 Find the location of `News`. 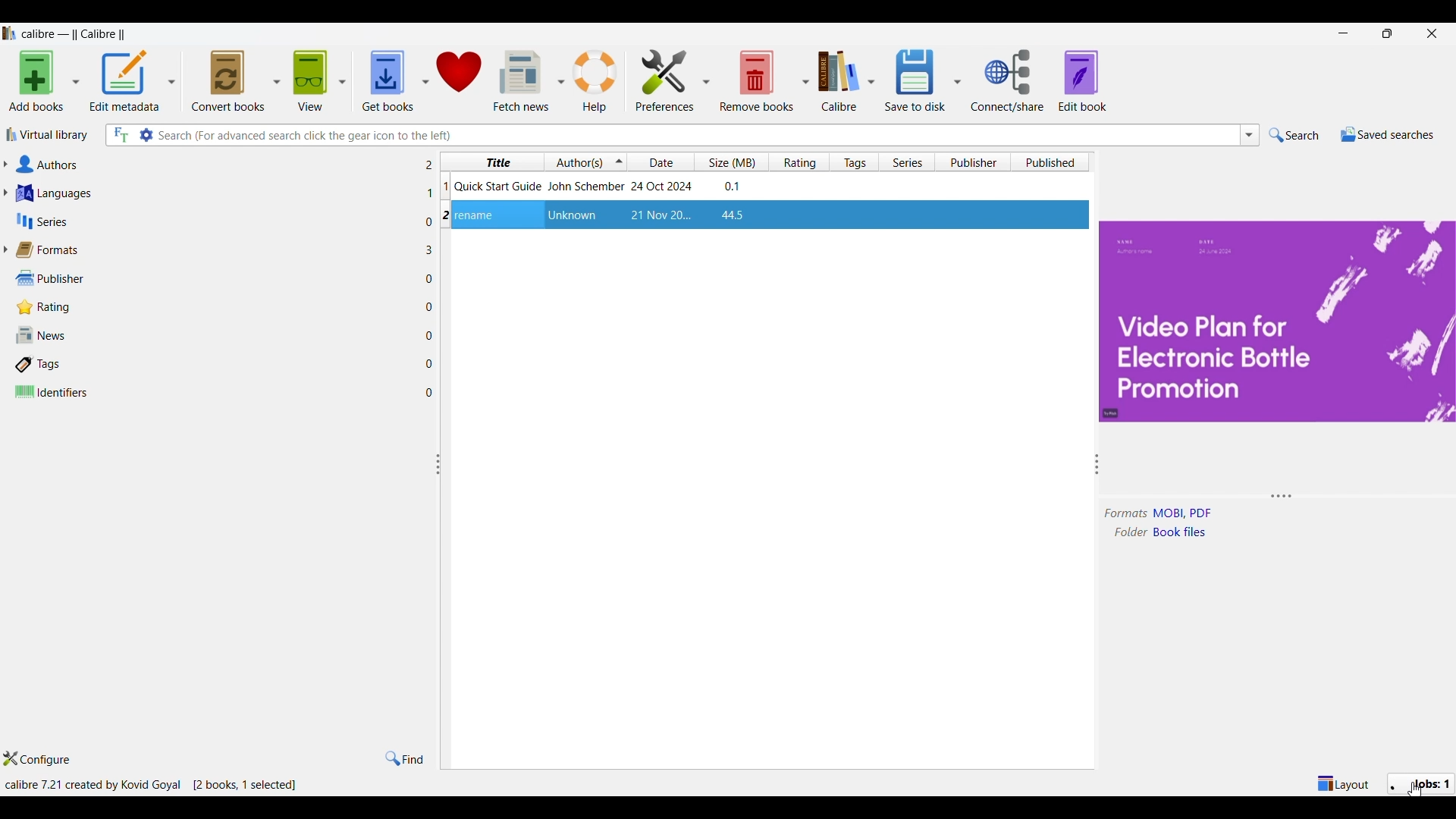

News is located at coordinates (215, 334).